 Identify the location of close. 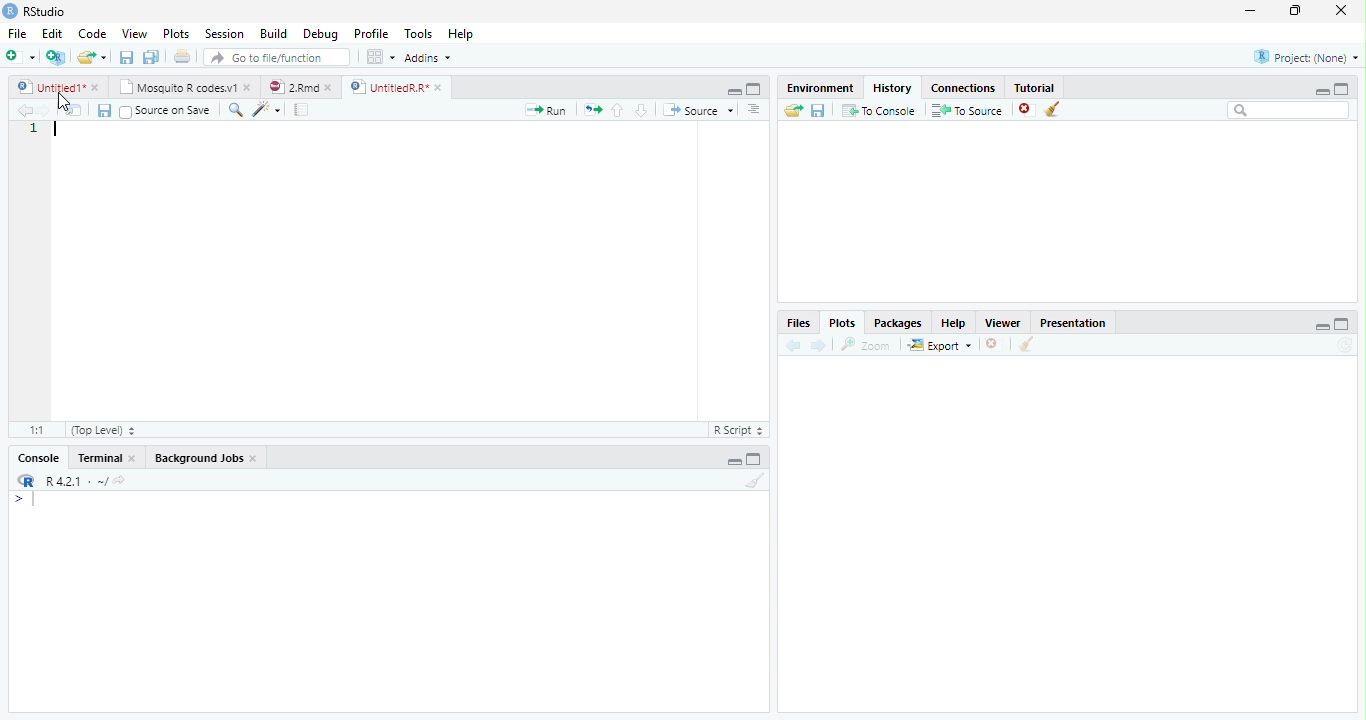
(132, 457).